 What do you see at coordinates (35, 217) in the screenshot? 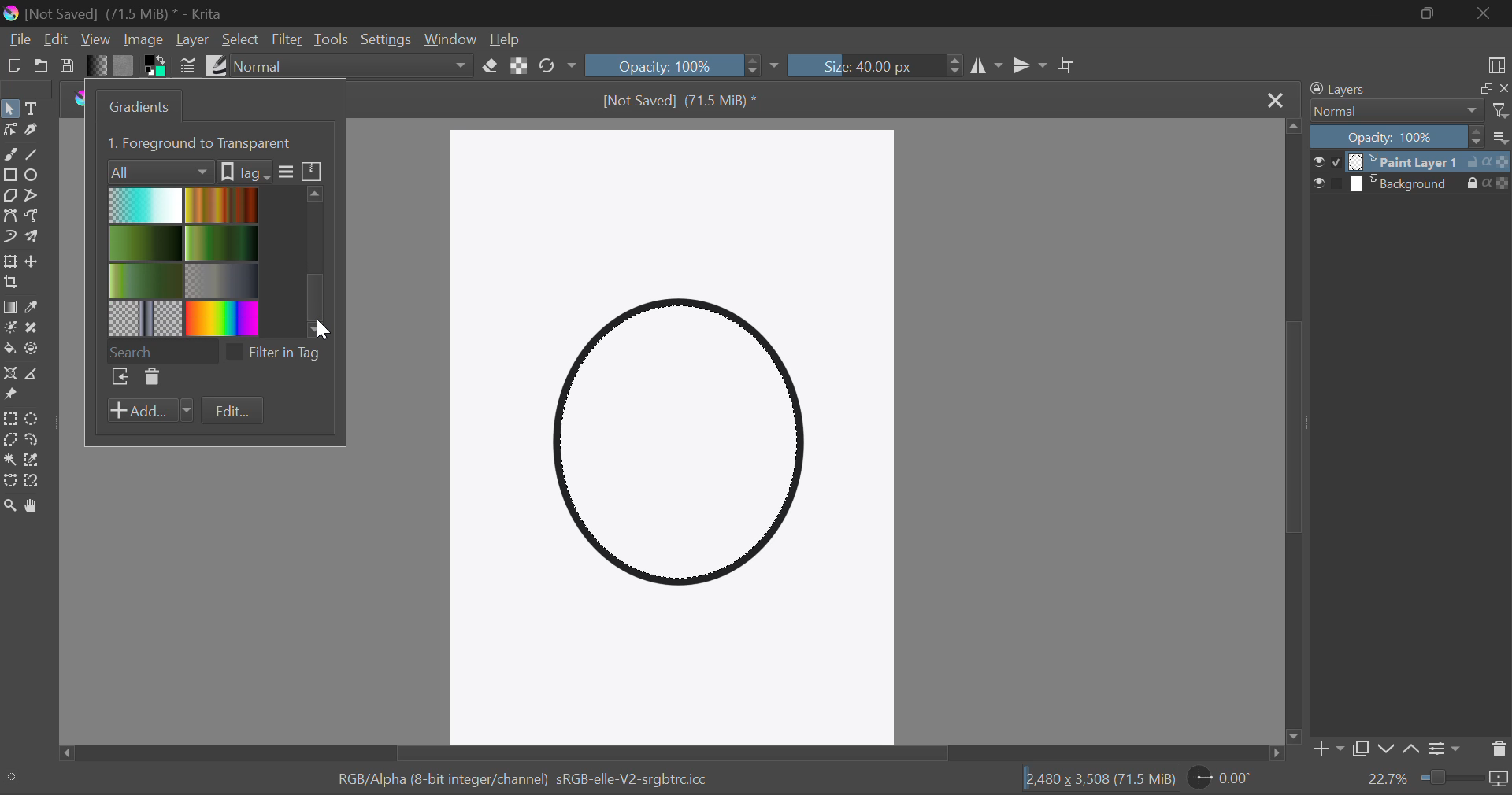
I see `Freehand Path Tool` at bounding box center [35, 217].